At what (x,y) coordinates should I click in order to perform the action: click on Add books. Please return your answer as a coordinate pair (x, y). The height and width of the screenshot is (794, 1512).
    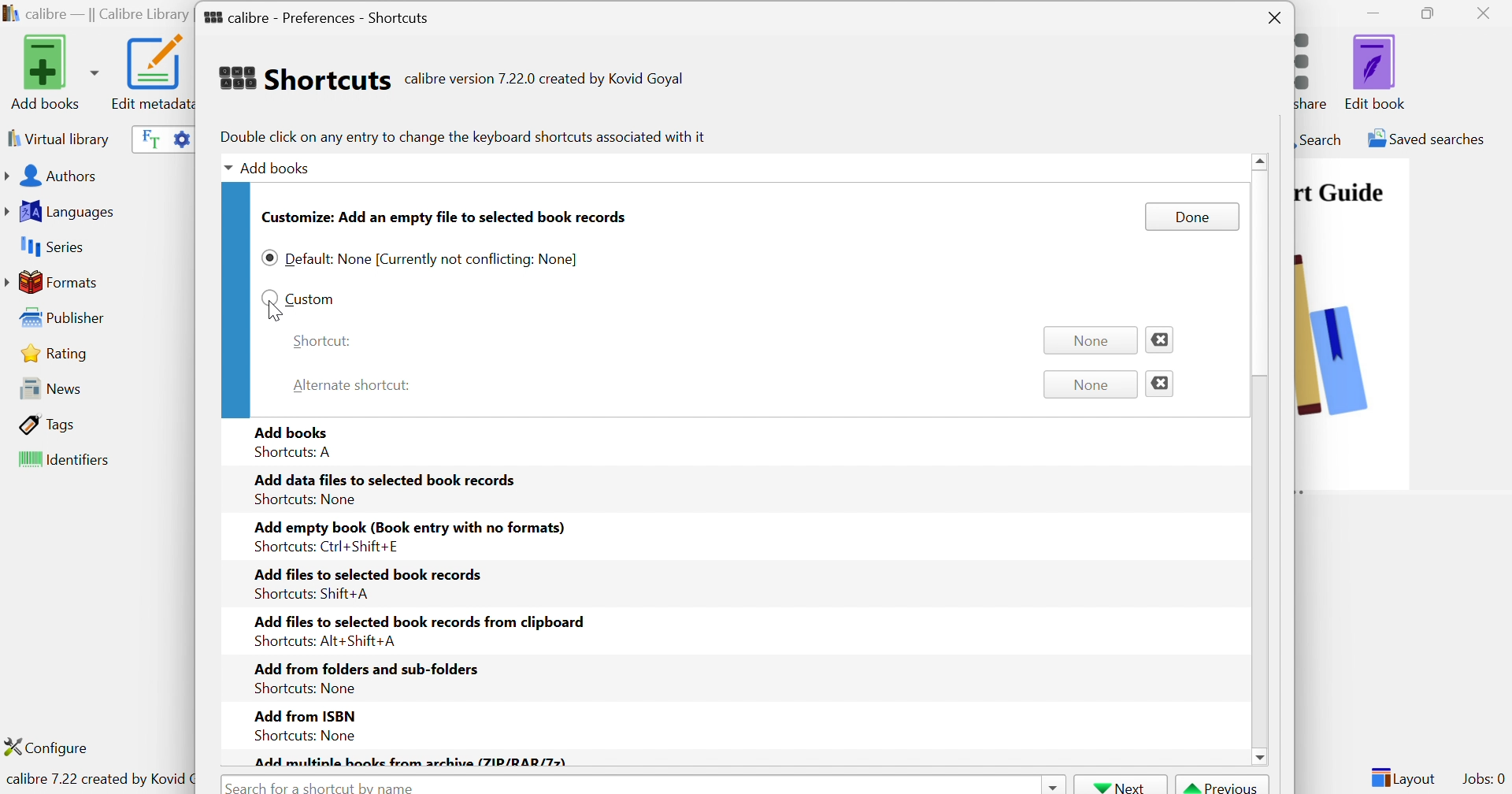
    Looking at the image, I should click on (52, 72).